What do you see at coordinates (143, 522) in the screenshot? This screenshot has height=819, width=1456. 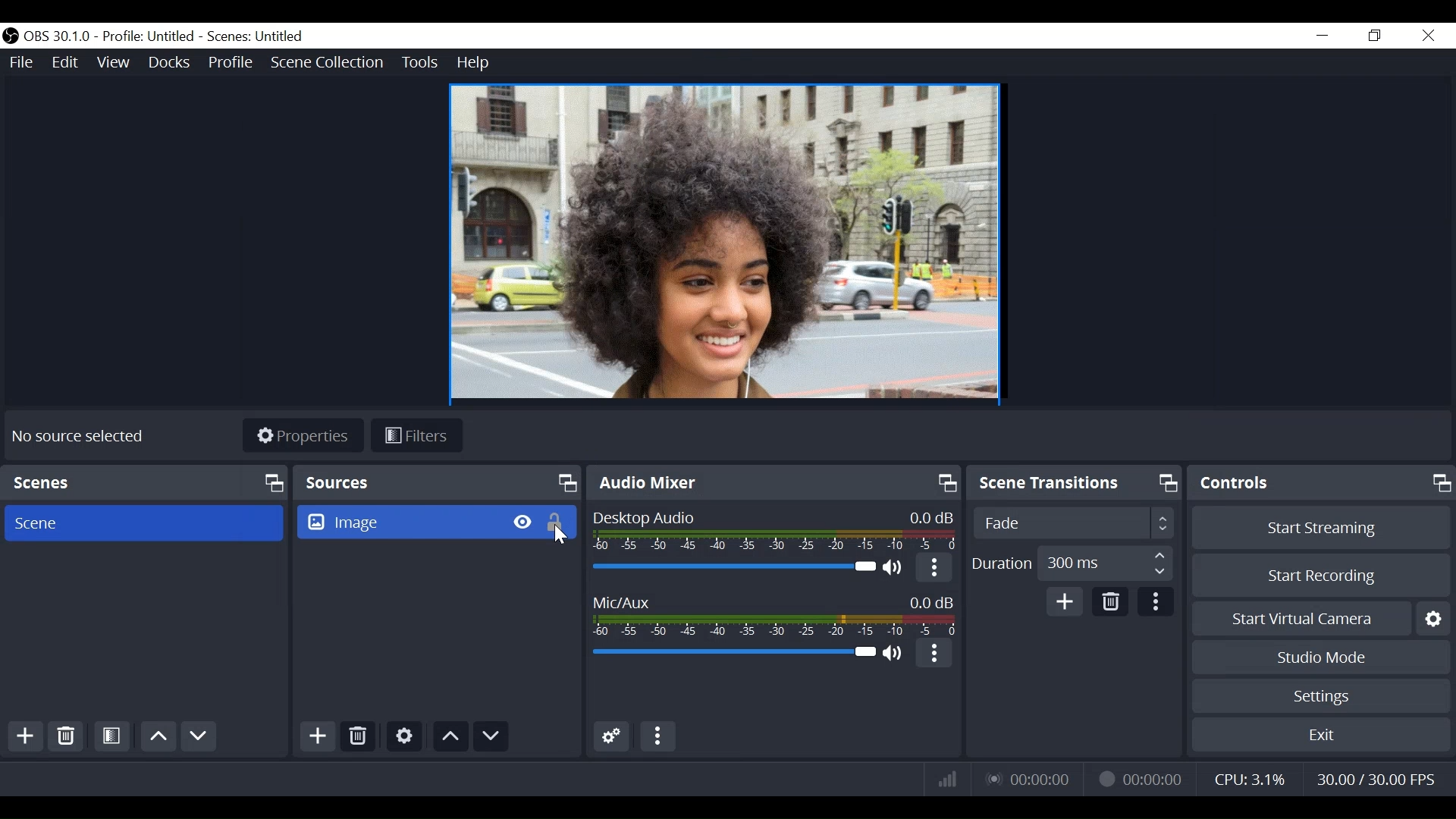 I see `Scene` at bounding box center [143, 522].